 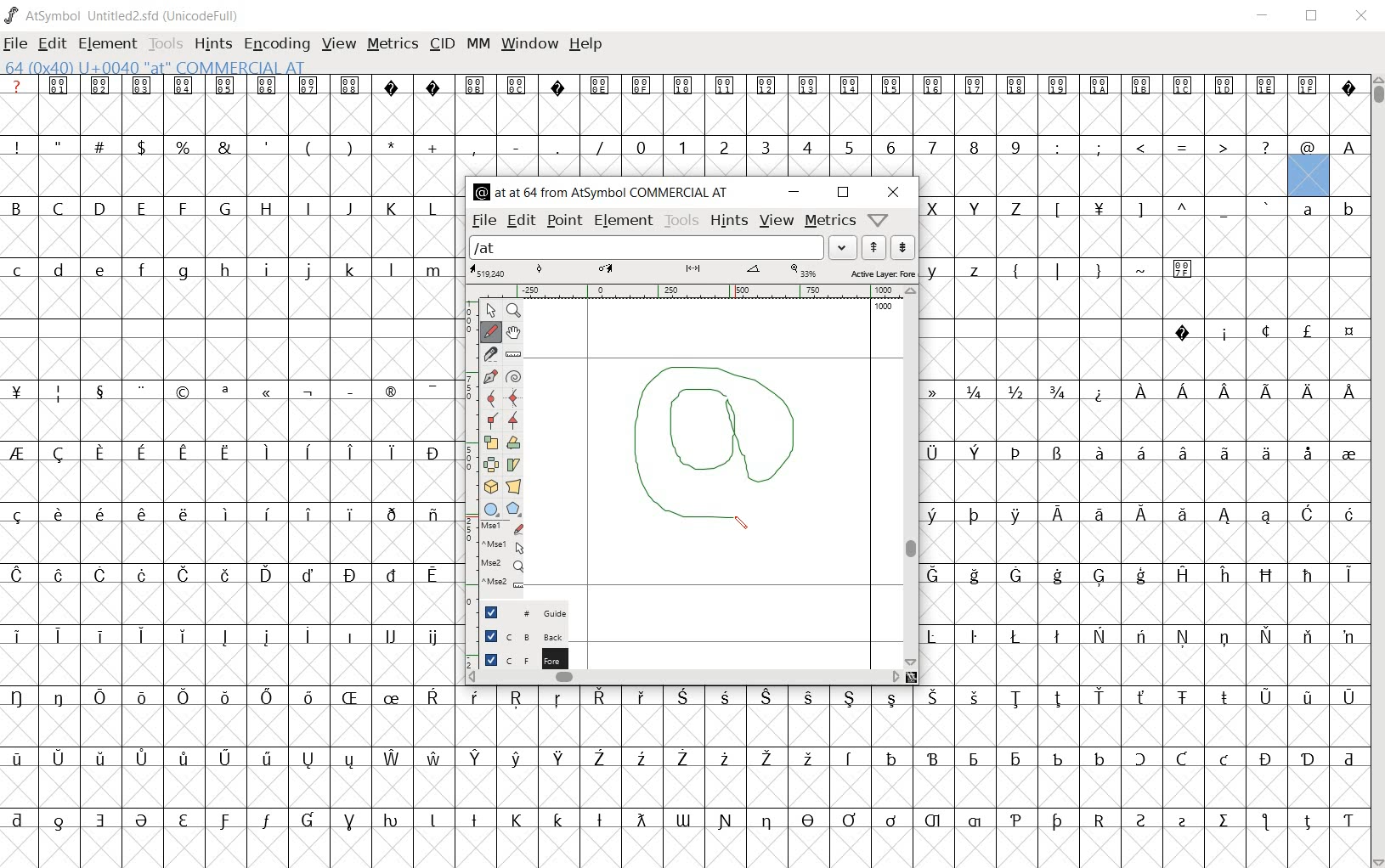 I want to click on HELP, so click(x=586, y=45).